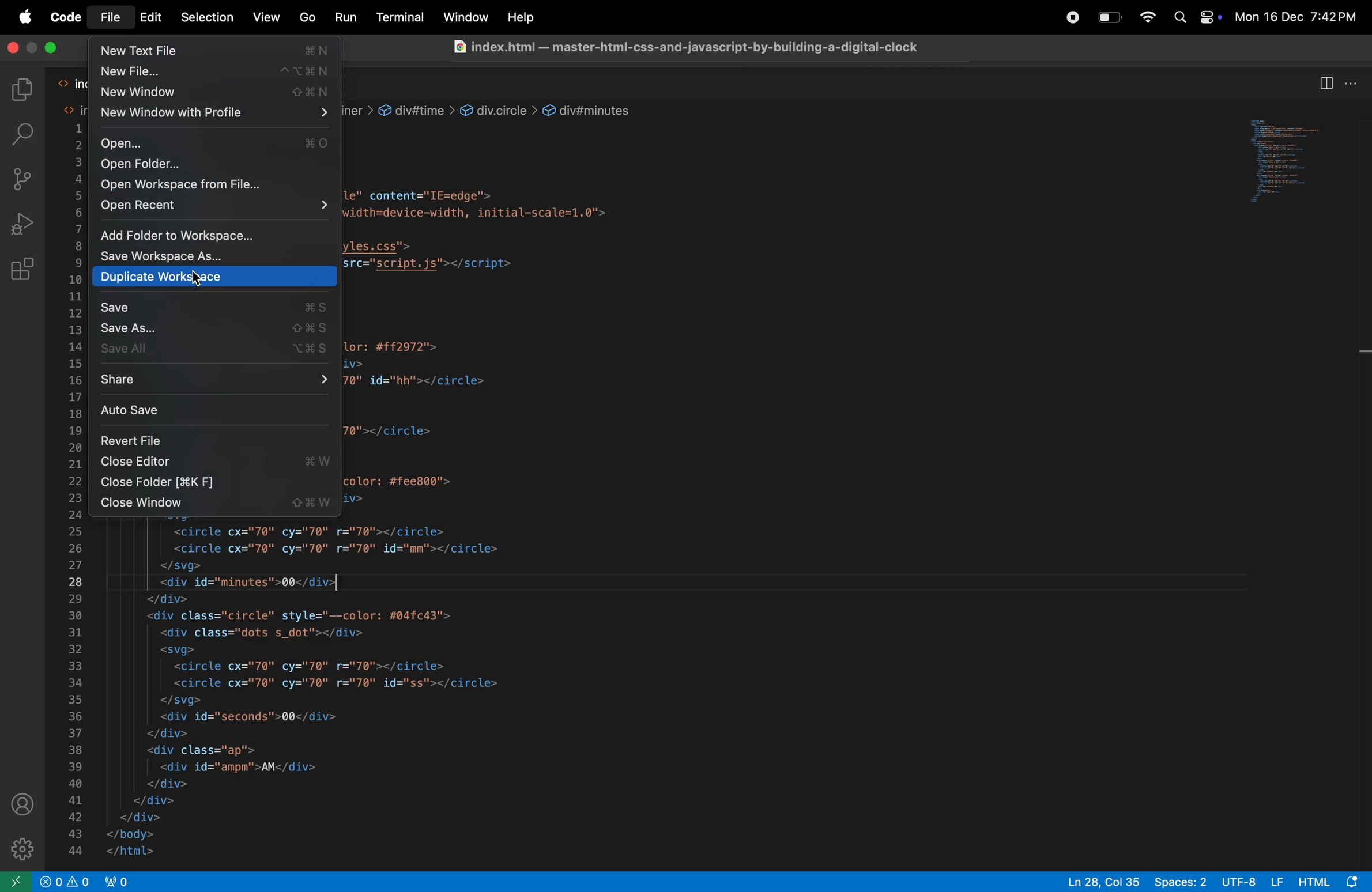  Describe the element at coordinates (1352, 82) in the screenshot. I see `options` at that location.